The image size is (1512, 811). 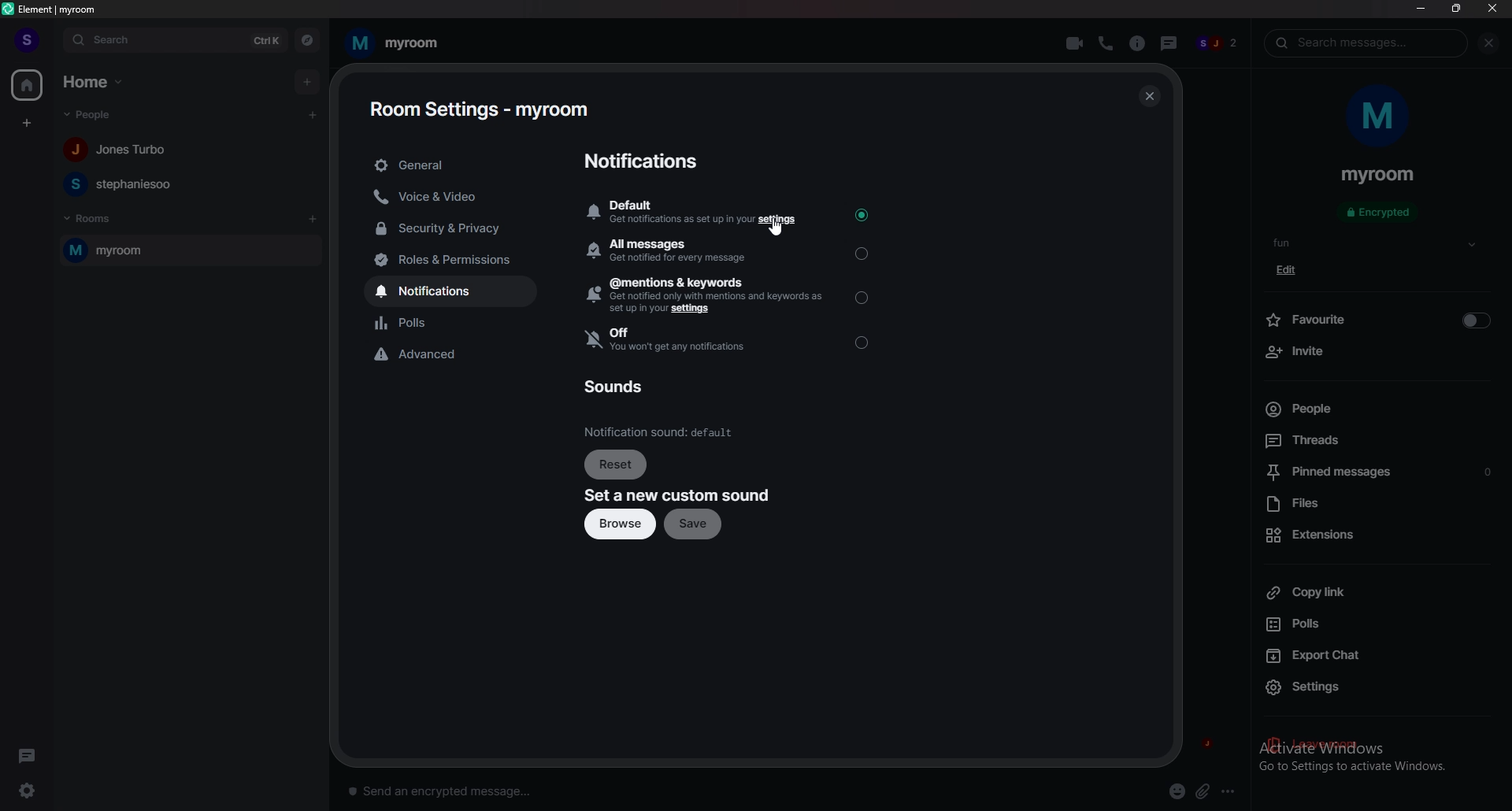 What do you see at coordinates (618, 464) in the screenshot?
I see `reset` at bounding box center [618, 464].